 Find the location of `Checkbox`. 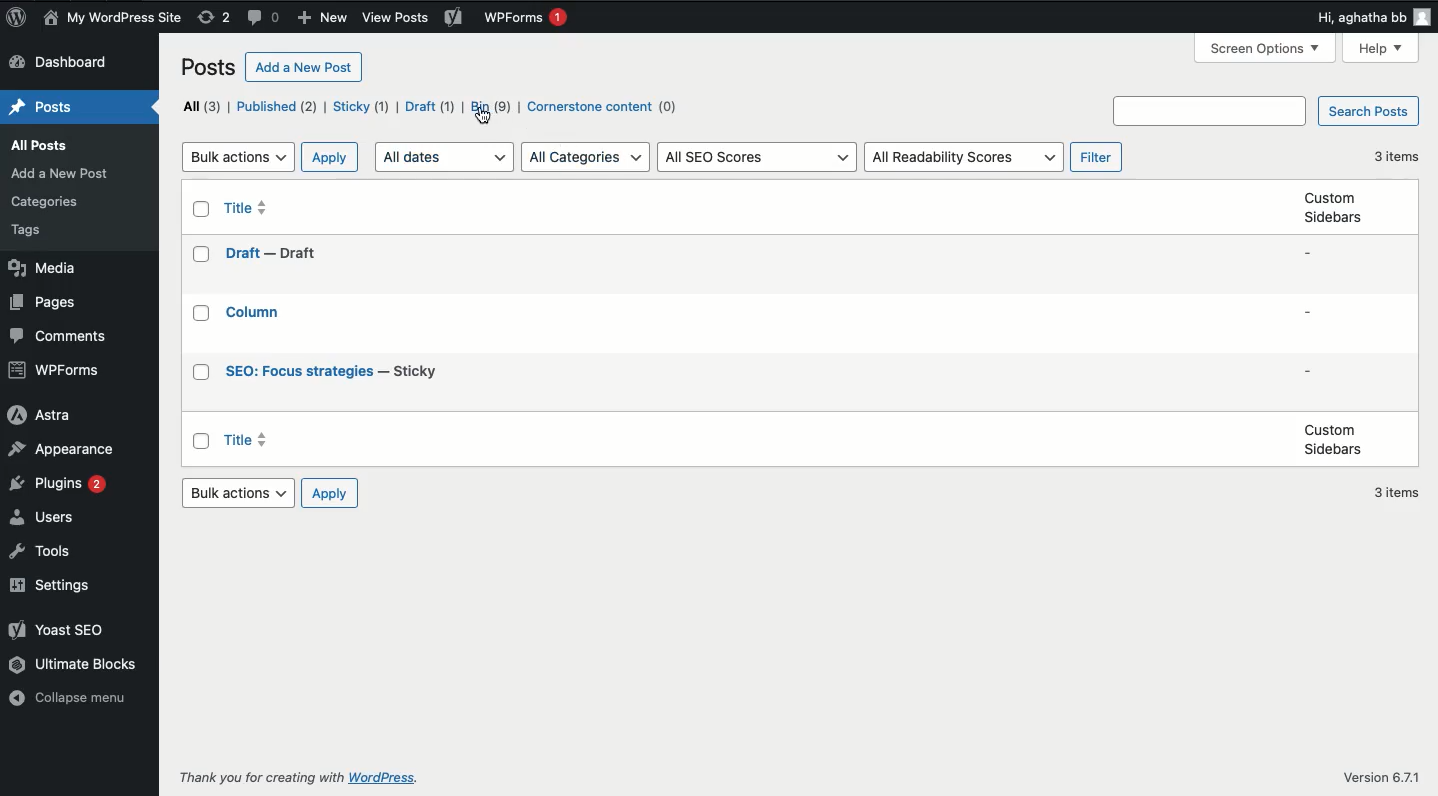

Checkbox is located at coordinates (202, 254).